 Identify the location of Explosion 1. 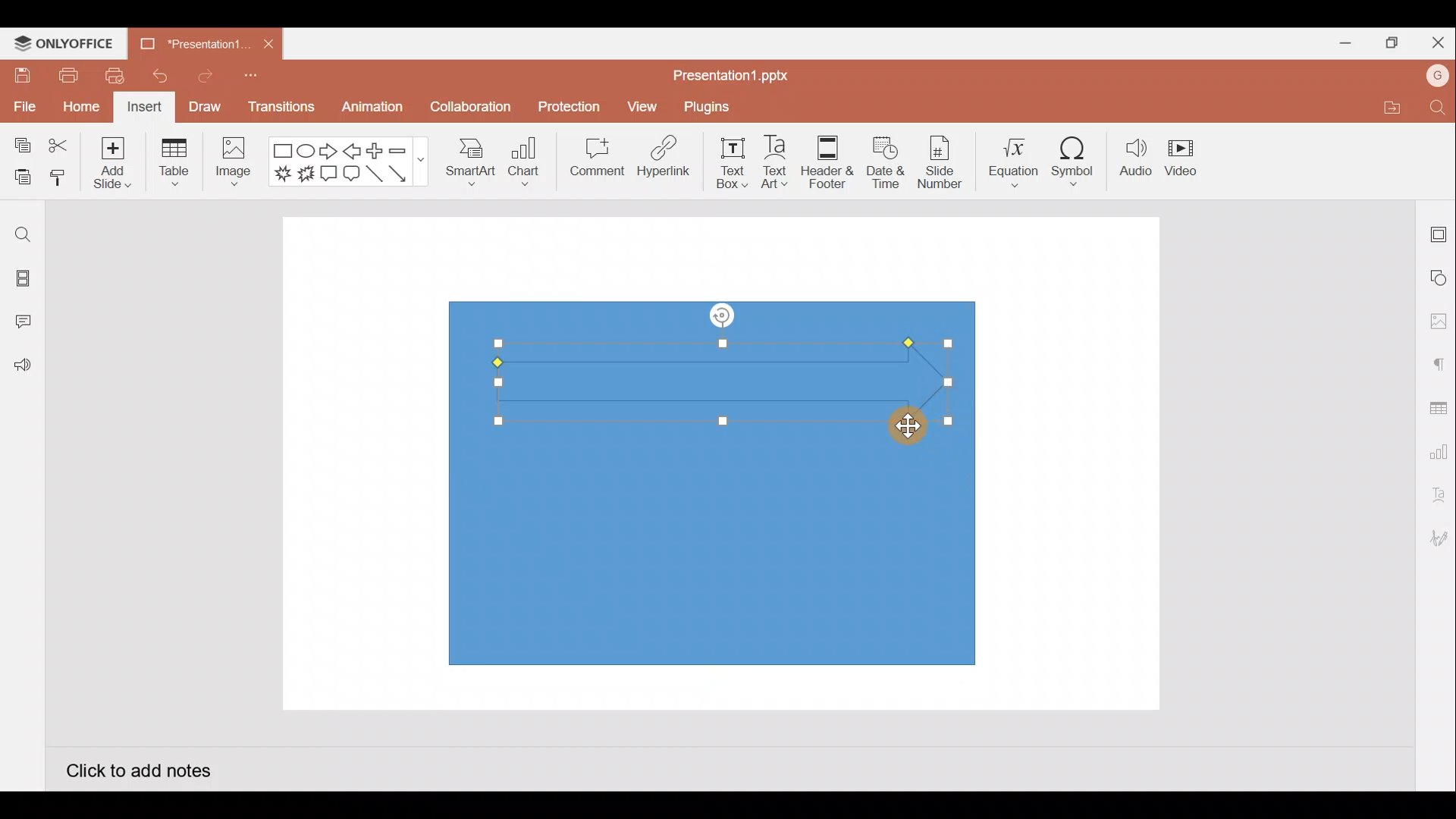
(283, 173).